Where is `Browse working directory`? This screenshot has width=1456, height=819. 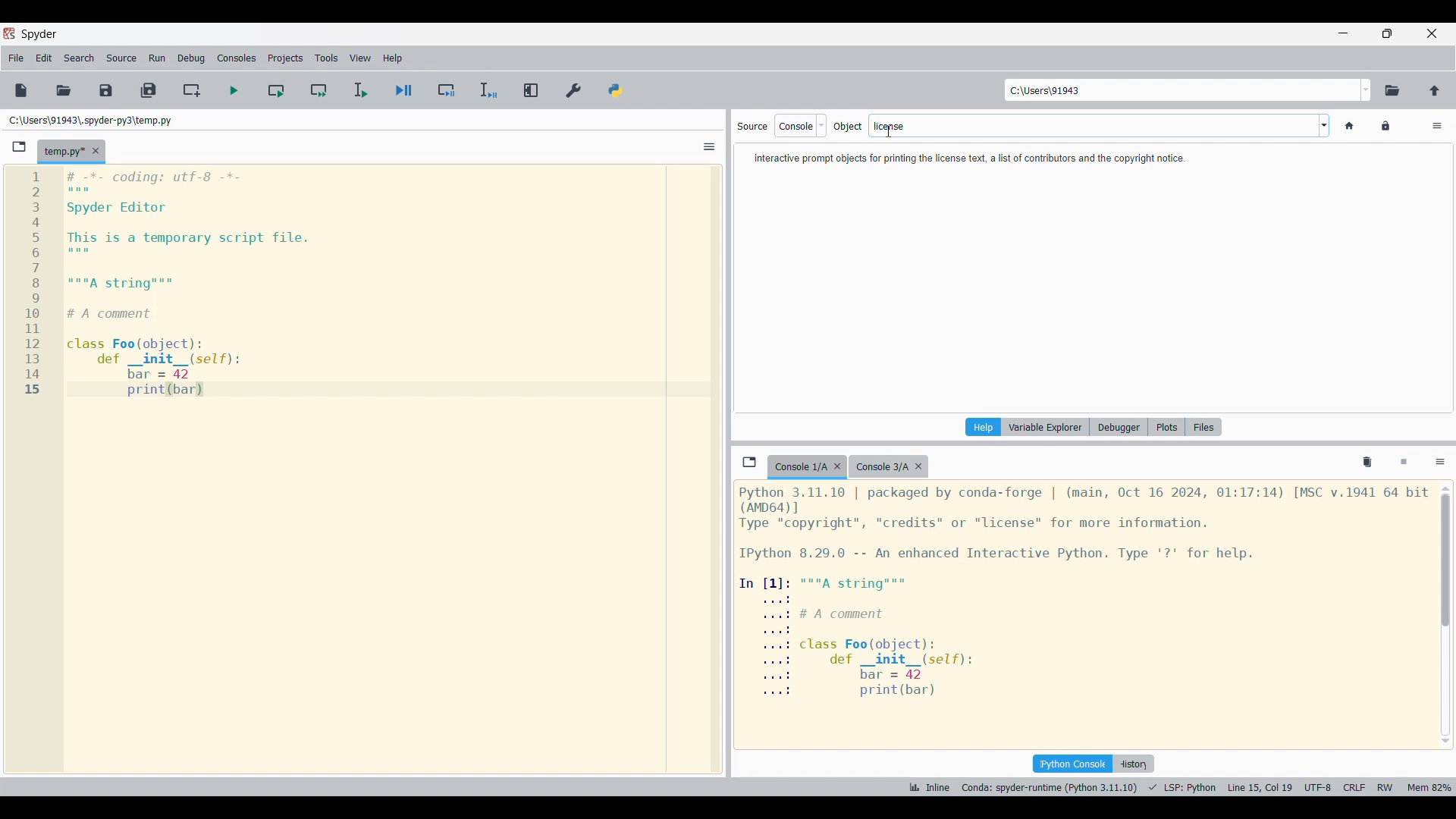
Browse working directory is located at coordinates (1393, 90).